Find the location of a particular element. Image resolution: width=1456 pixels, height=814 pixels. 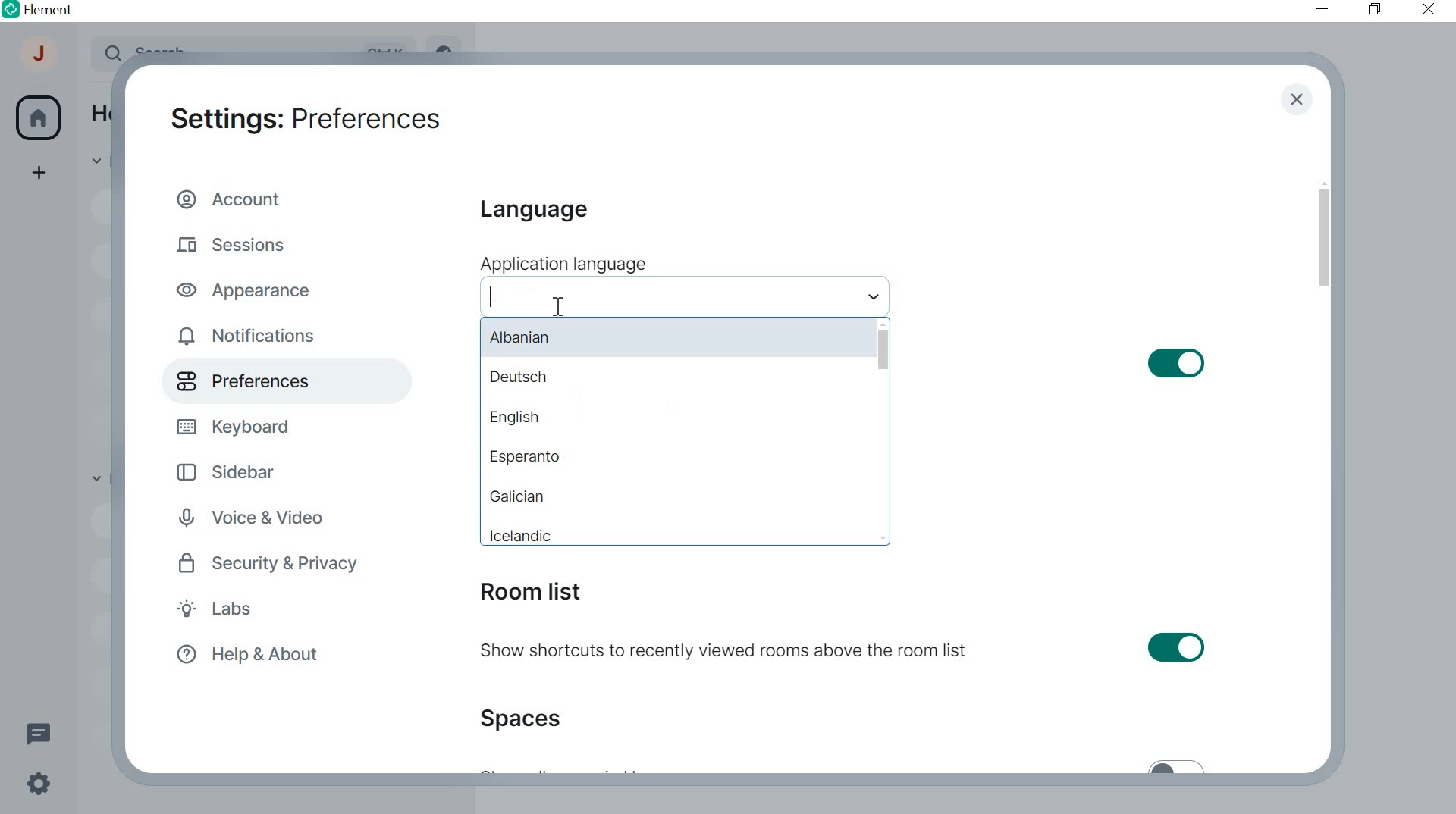

DEUTSCH is located at coordinates (674, 380).